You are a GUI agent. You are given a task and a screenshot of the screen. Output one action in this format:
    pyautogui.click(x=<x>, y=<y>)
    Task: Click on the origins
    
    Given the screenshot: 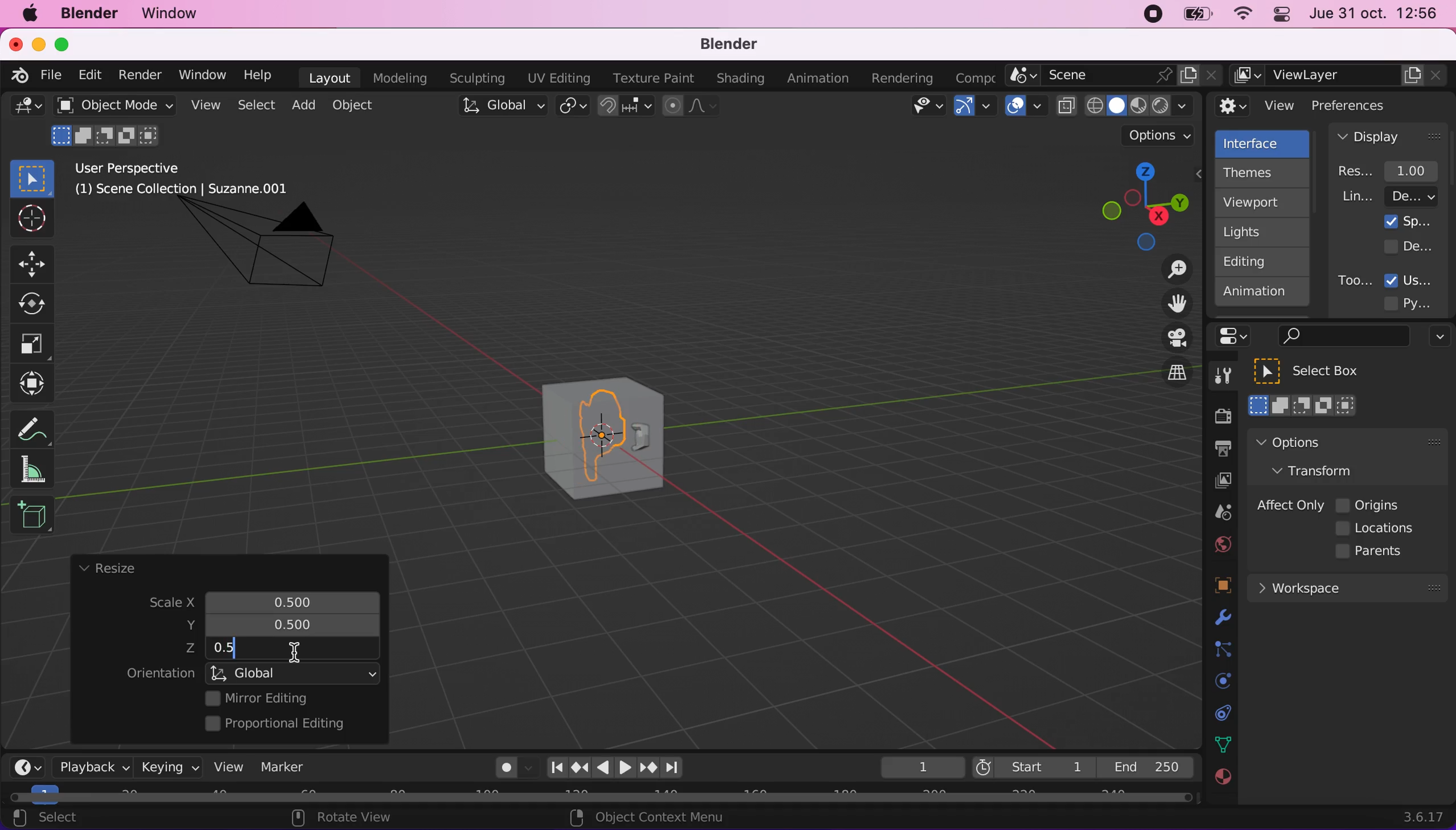 What is the action you would take?
    pyautogui.click(x=1369, y=503)
    